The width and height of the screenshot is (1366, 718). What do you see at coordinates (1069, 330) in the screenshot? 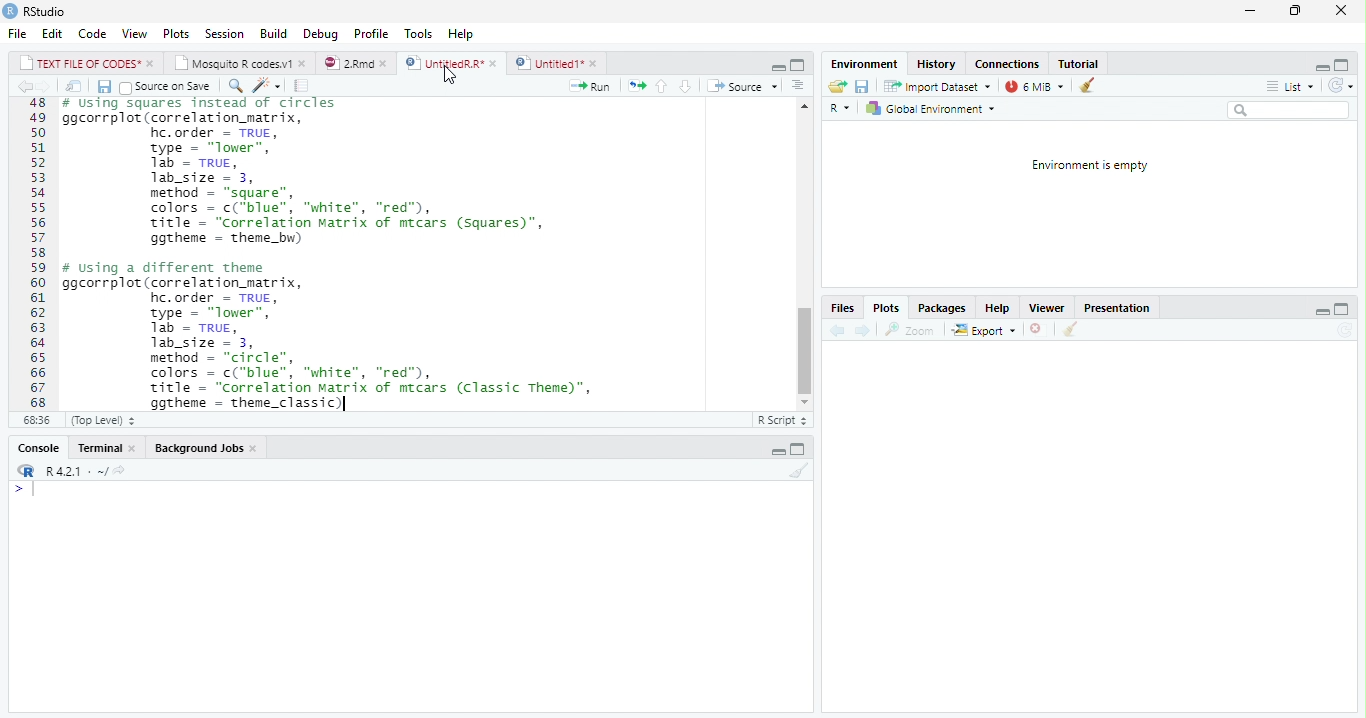
I see `clear all plots` at bounding box center [1069, 330].